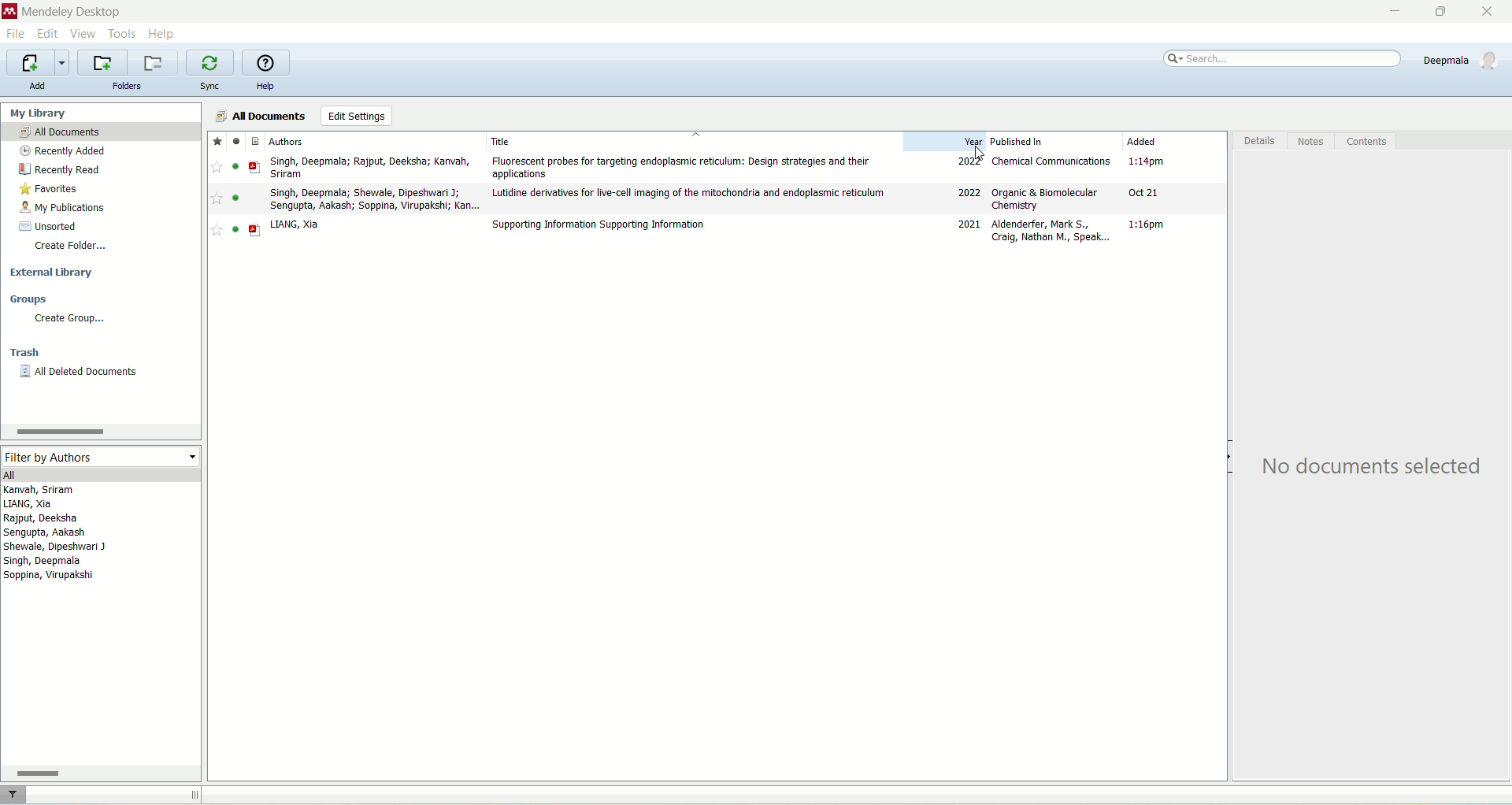  What do you see at coordinates (1146, 223) in the screenshot?
I see `1:16 pm` at bounding box center [1146, 223].